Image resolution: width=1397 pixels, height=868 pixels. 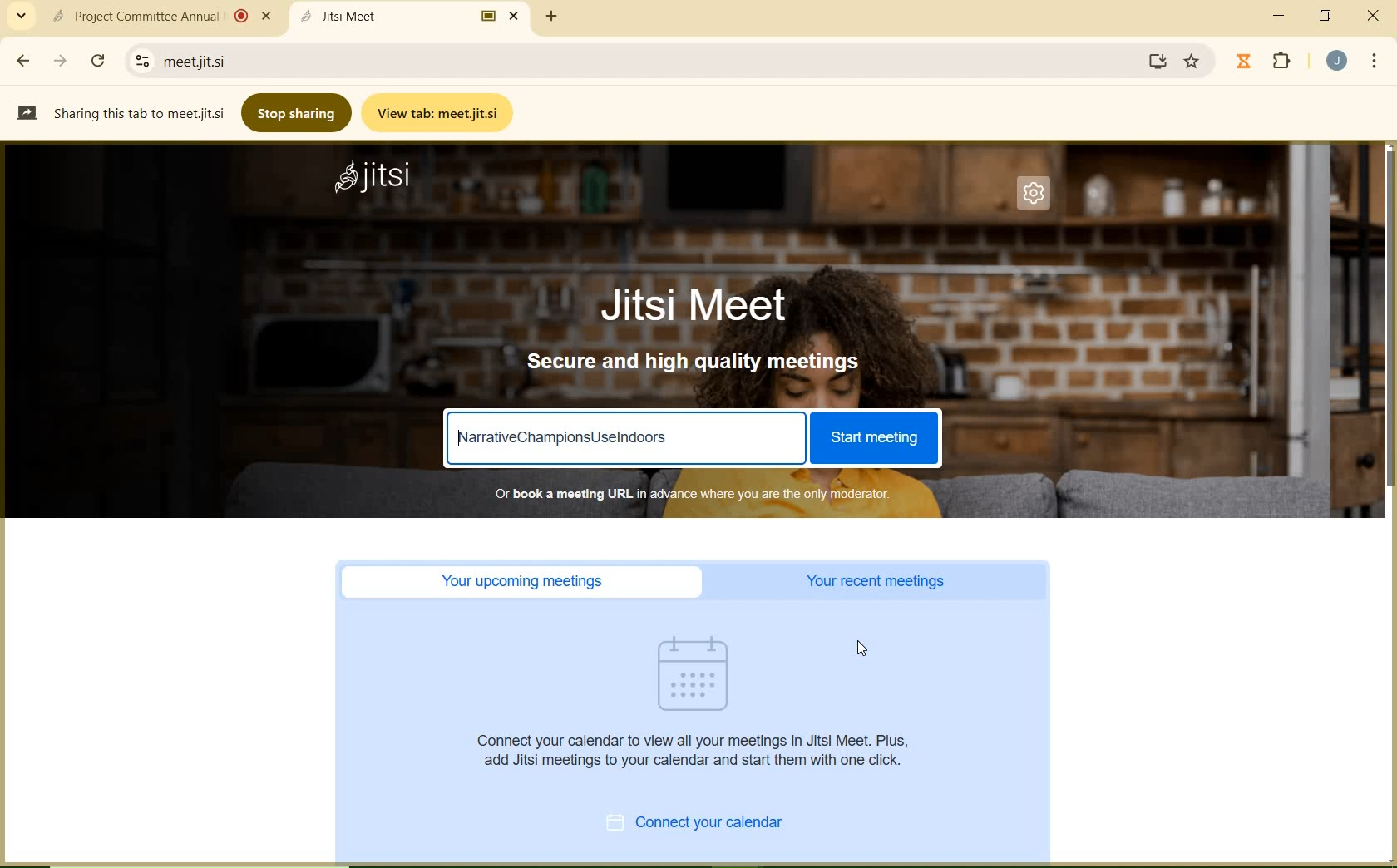 I want to click on extensions, so click(x=1283, y=62).